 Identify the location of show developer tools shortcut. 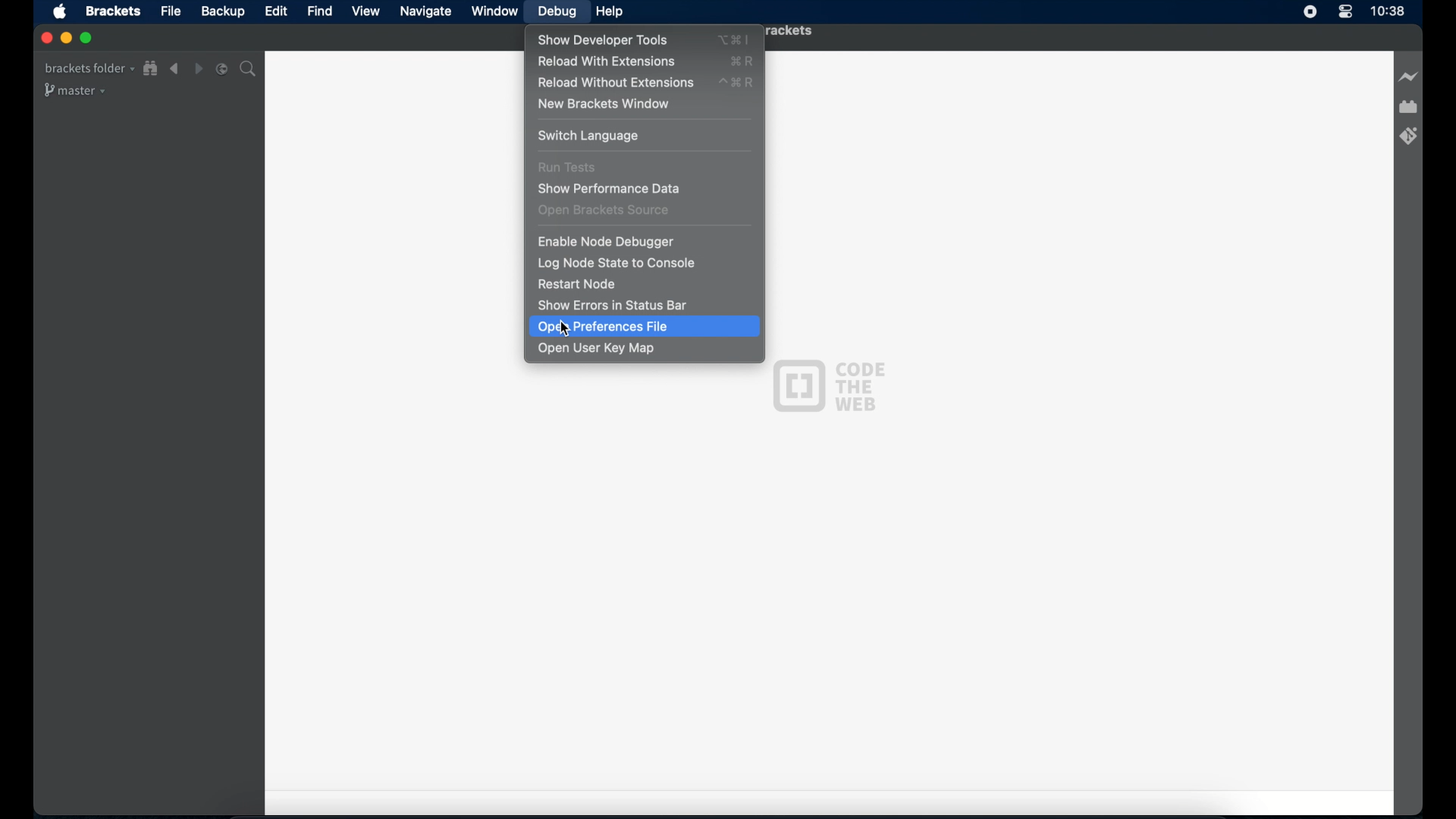
(734, 40).